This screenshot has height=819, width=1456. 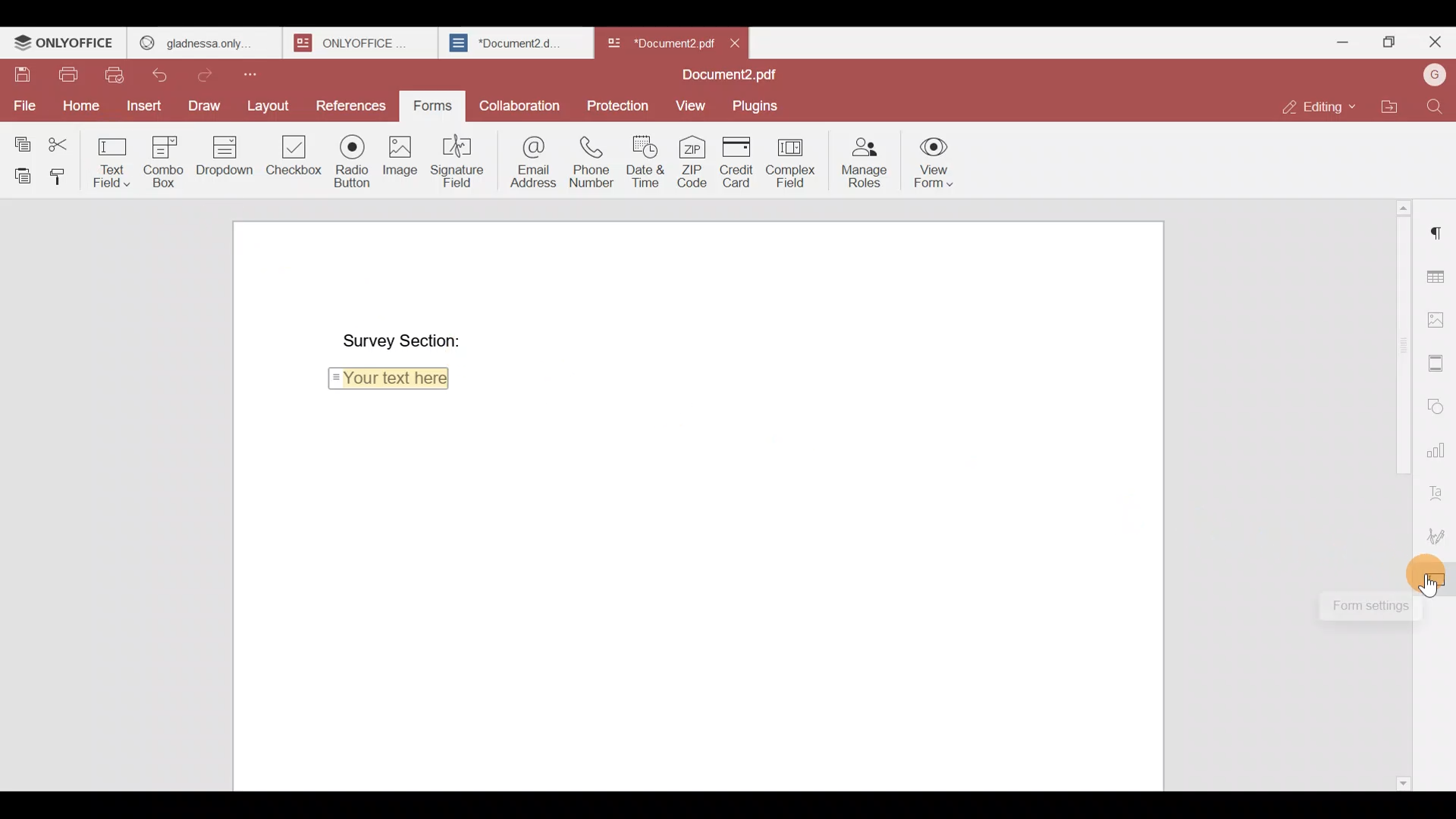 What do you see at coordinates (290, 159) in the screenshot?
I see `Checkbox` at bounding box center [290, 159].